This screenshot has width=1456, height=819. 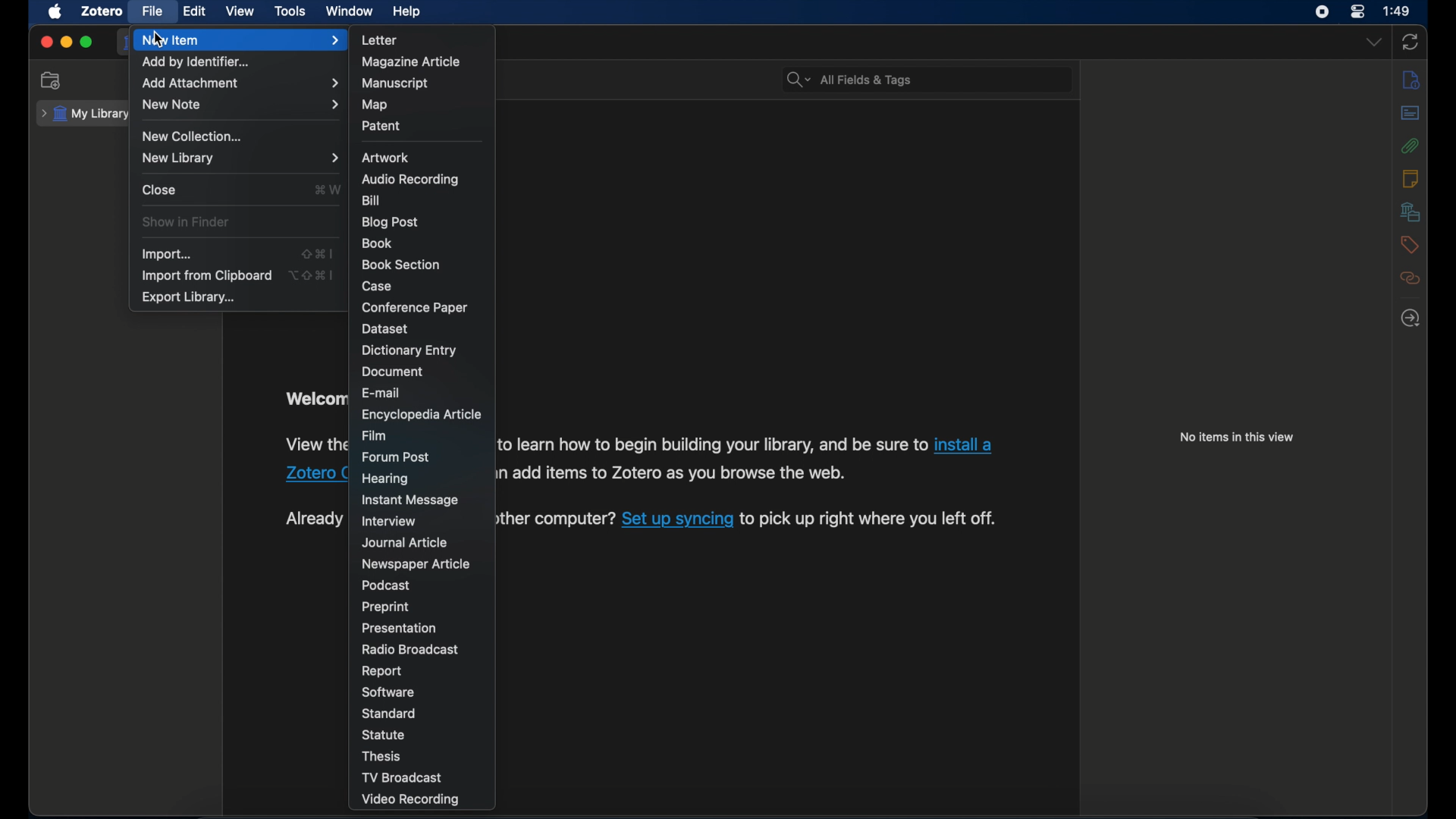 I want to click on bill, so click(x=373, y=201).